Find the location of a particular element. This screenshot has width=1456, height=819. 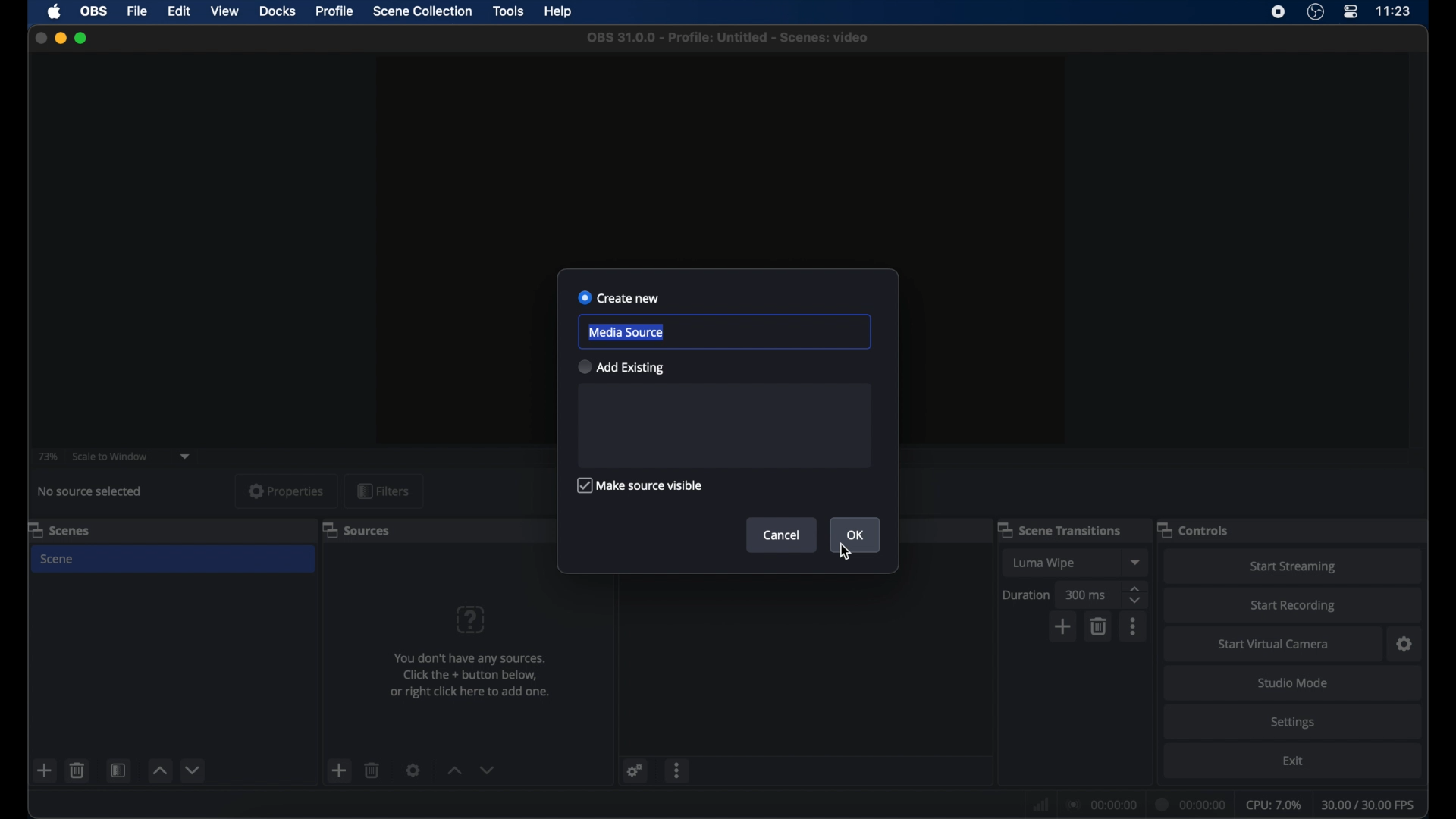

exit is located at coordinates (1294, 761).